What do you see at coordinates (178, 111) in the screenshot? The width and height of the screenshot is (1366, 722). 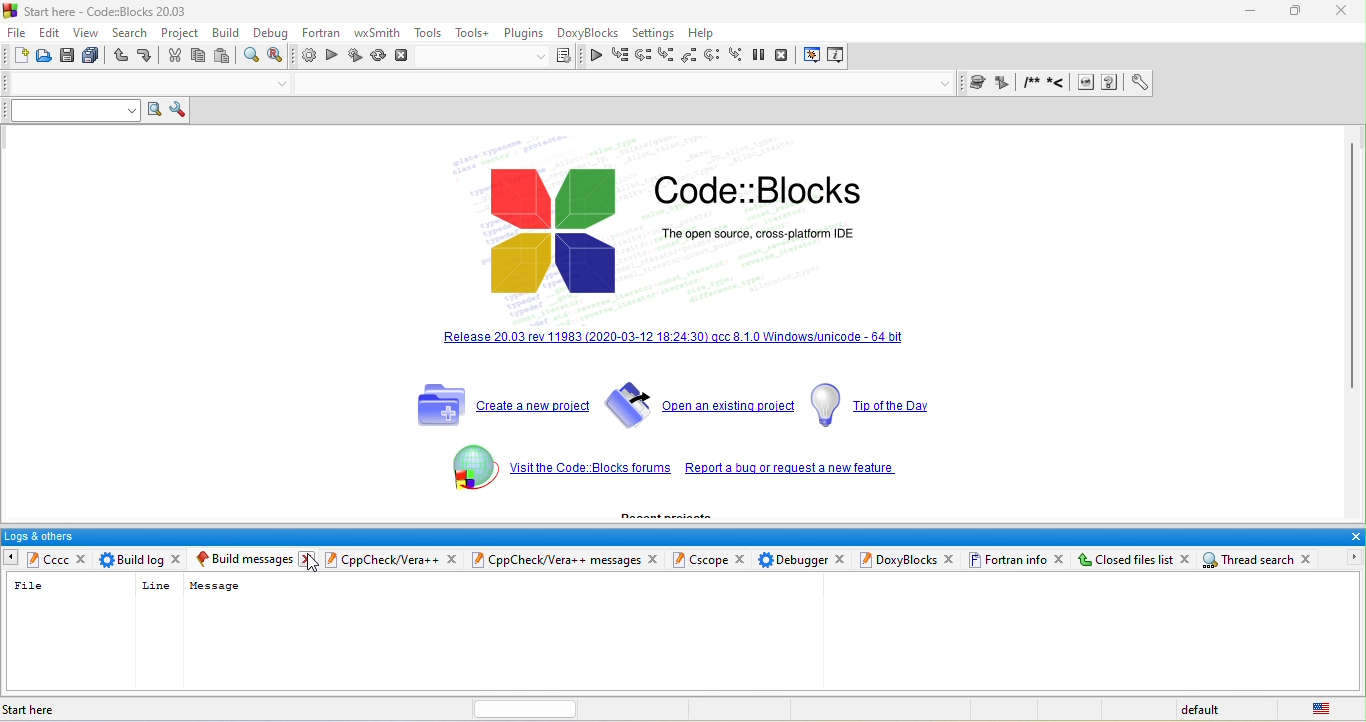 I see `show option window` at bounding box center [178, 111].